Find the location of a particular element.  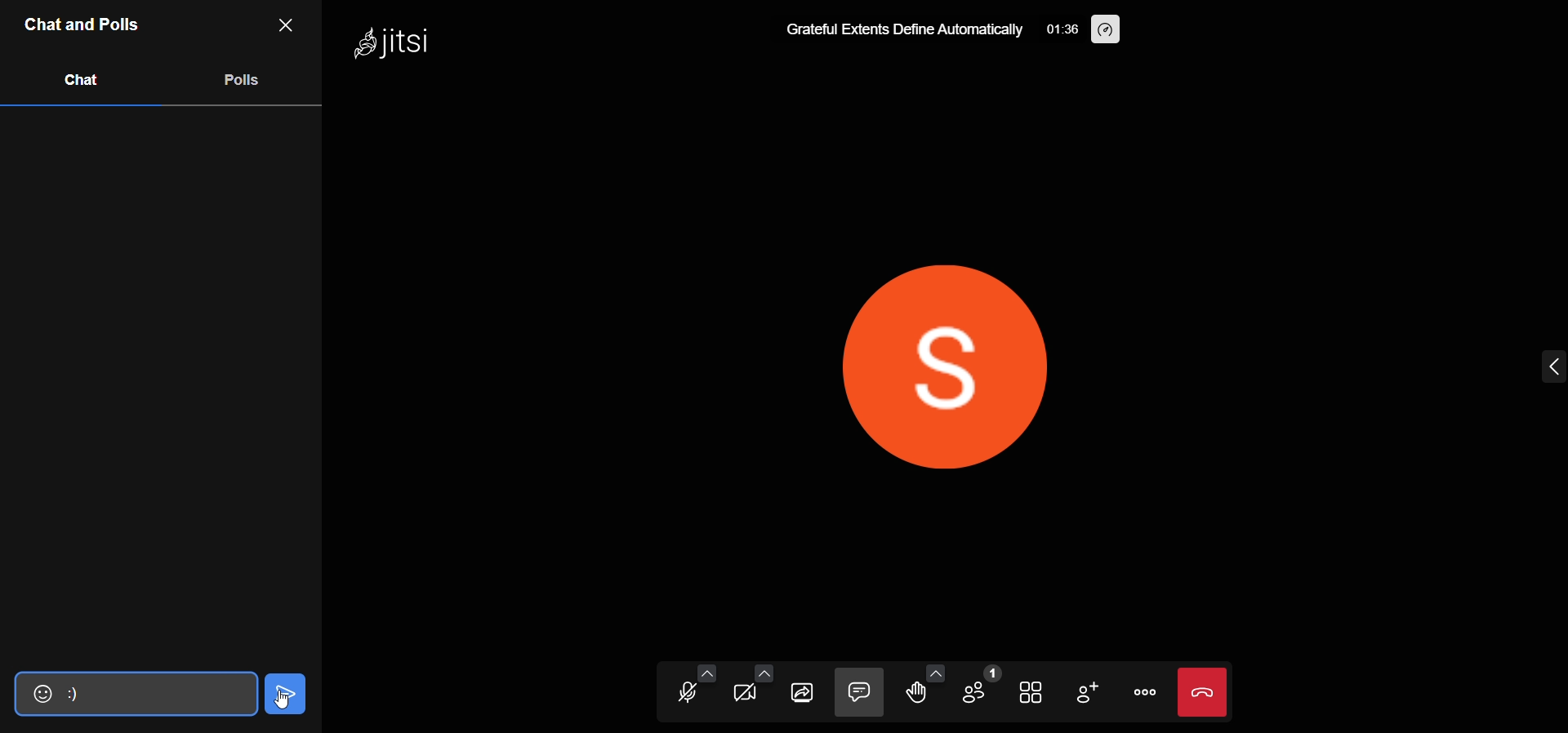

tile view is located at coordinates (1033, 692).